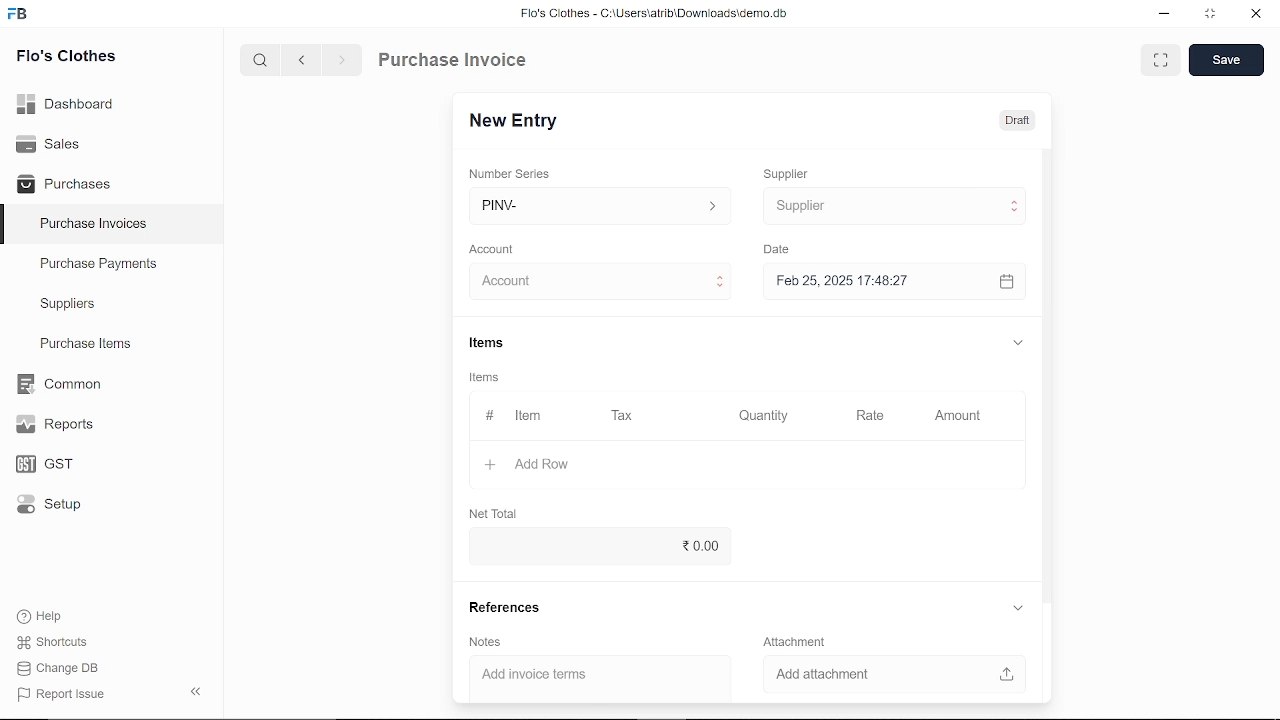 This screenshot has width=1280, height=720. I want to click on Net Total, so click(497, 513).